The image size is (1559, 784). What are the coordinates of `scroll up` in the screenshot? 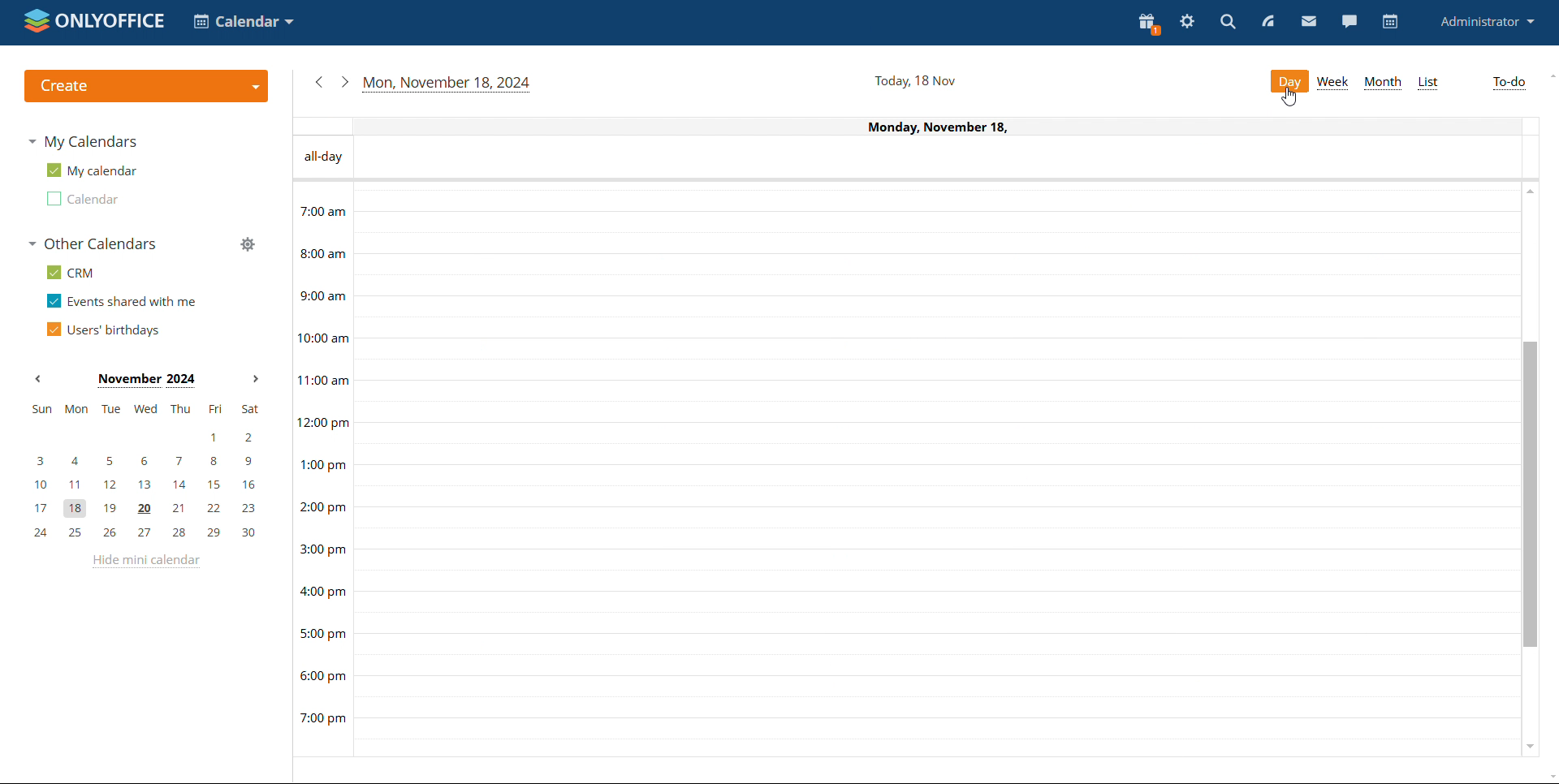 It's located at (1529, 189).